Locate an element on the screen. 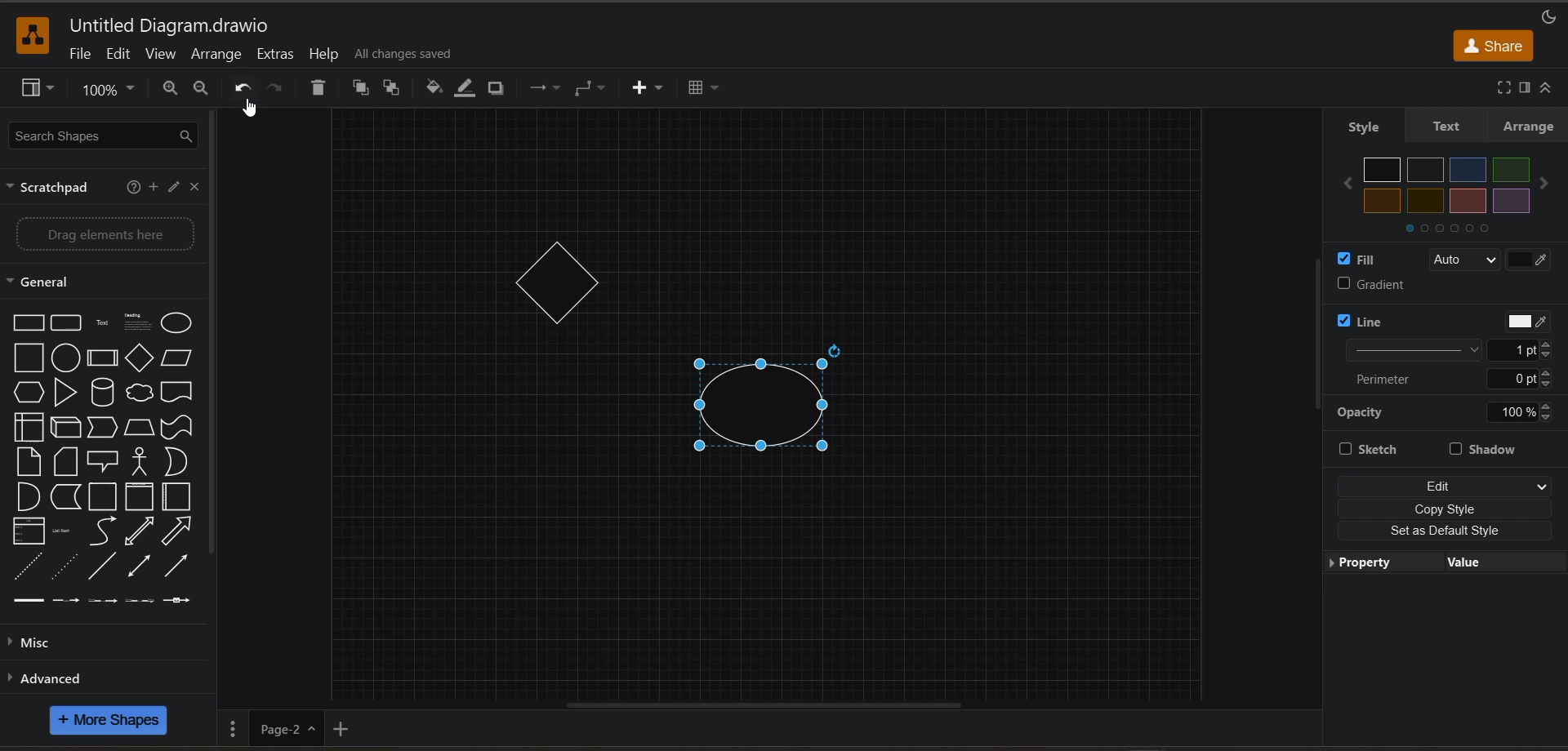 This screenshot has width=1568, height=751. Link is located at coordinates (29, 600).